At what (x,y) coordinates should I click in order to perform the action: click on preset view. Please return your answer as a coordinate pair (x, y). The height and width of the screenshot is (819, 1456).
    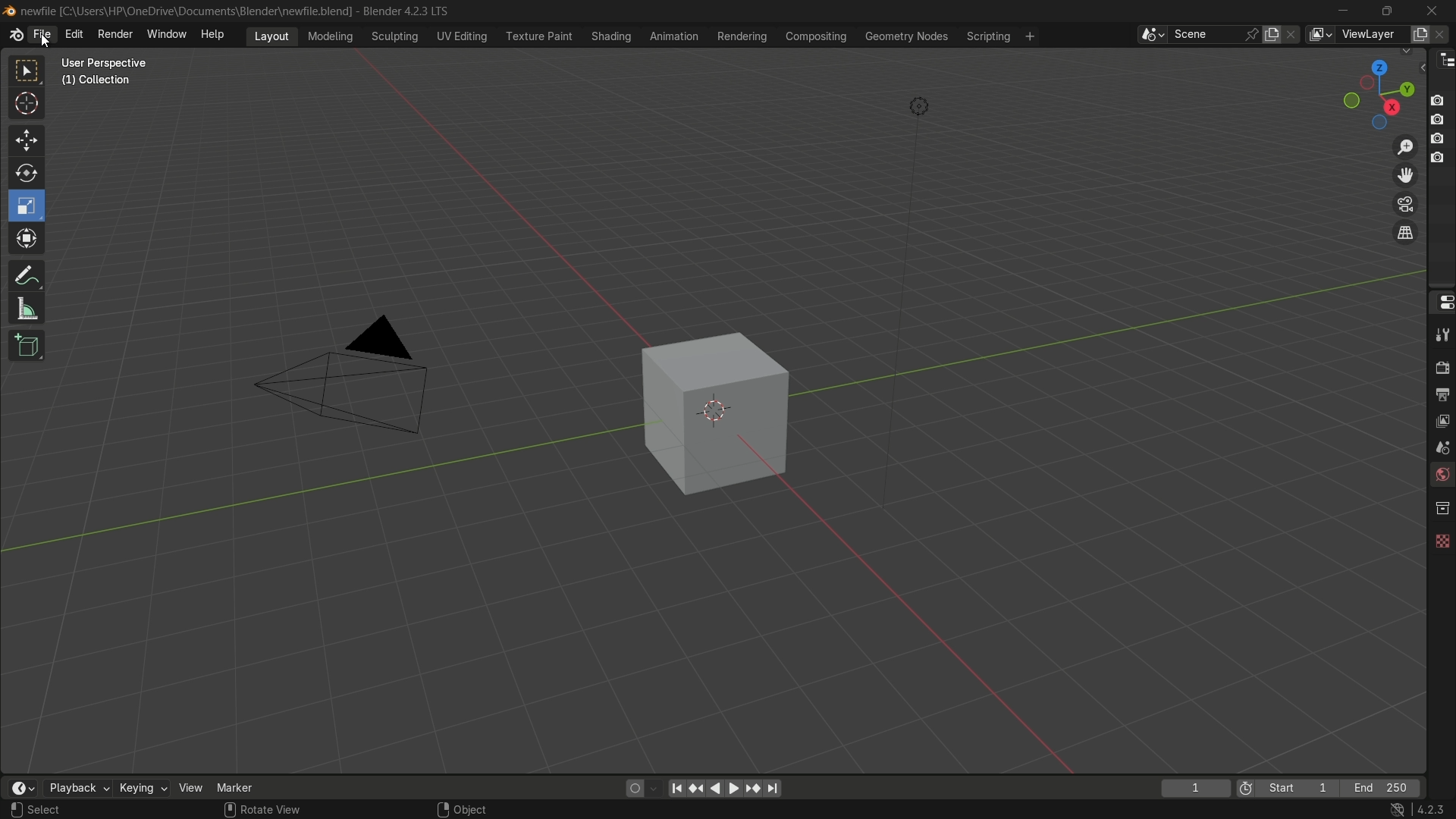
    Looking at the image, I should click on (1374, 91).